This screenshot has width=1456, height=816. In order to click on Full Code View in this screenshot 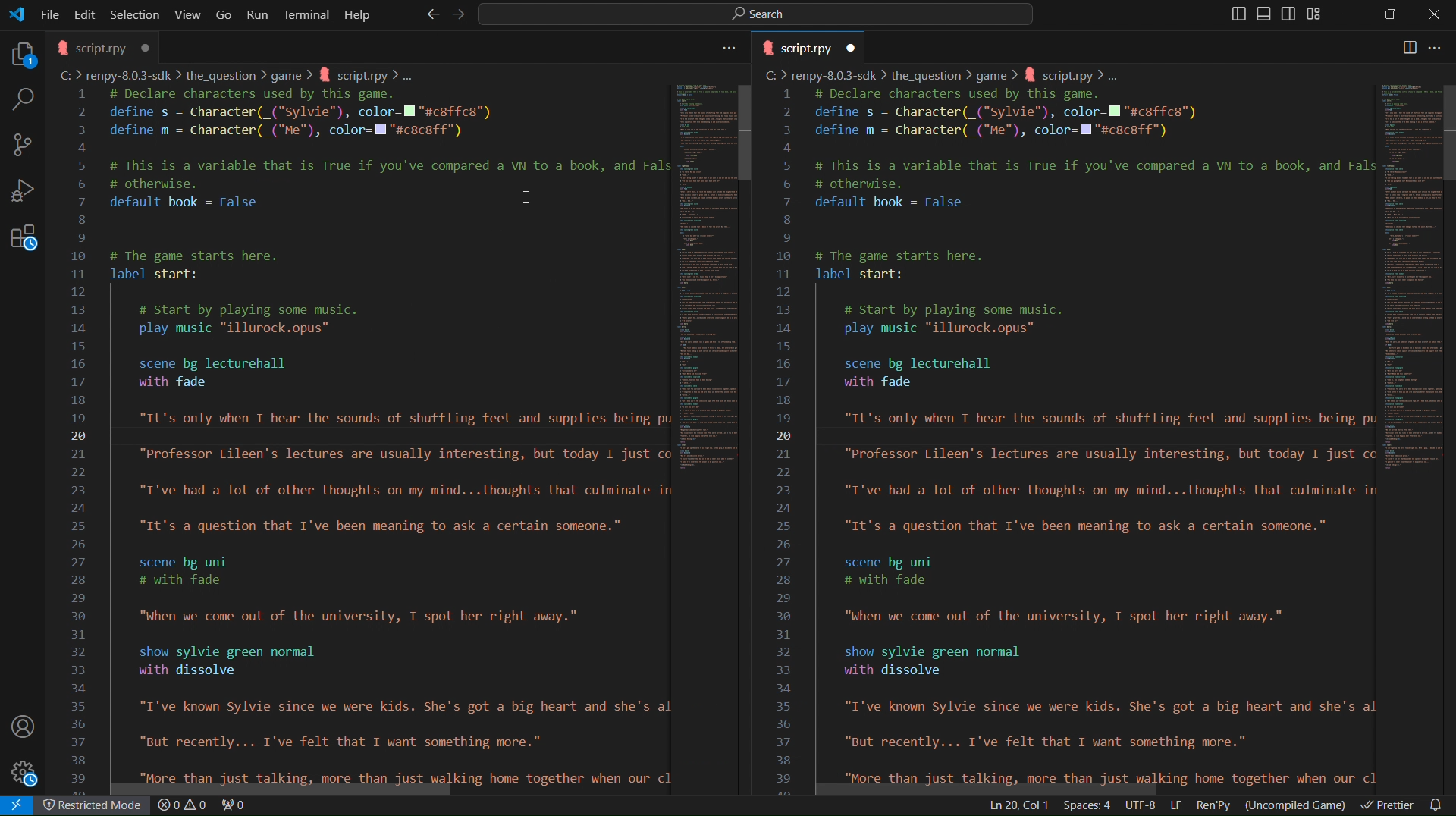, I will do `click(704, 291)`.